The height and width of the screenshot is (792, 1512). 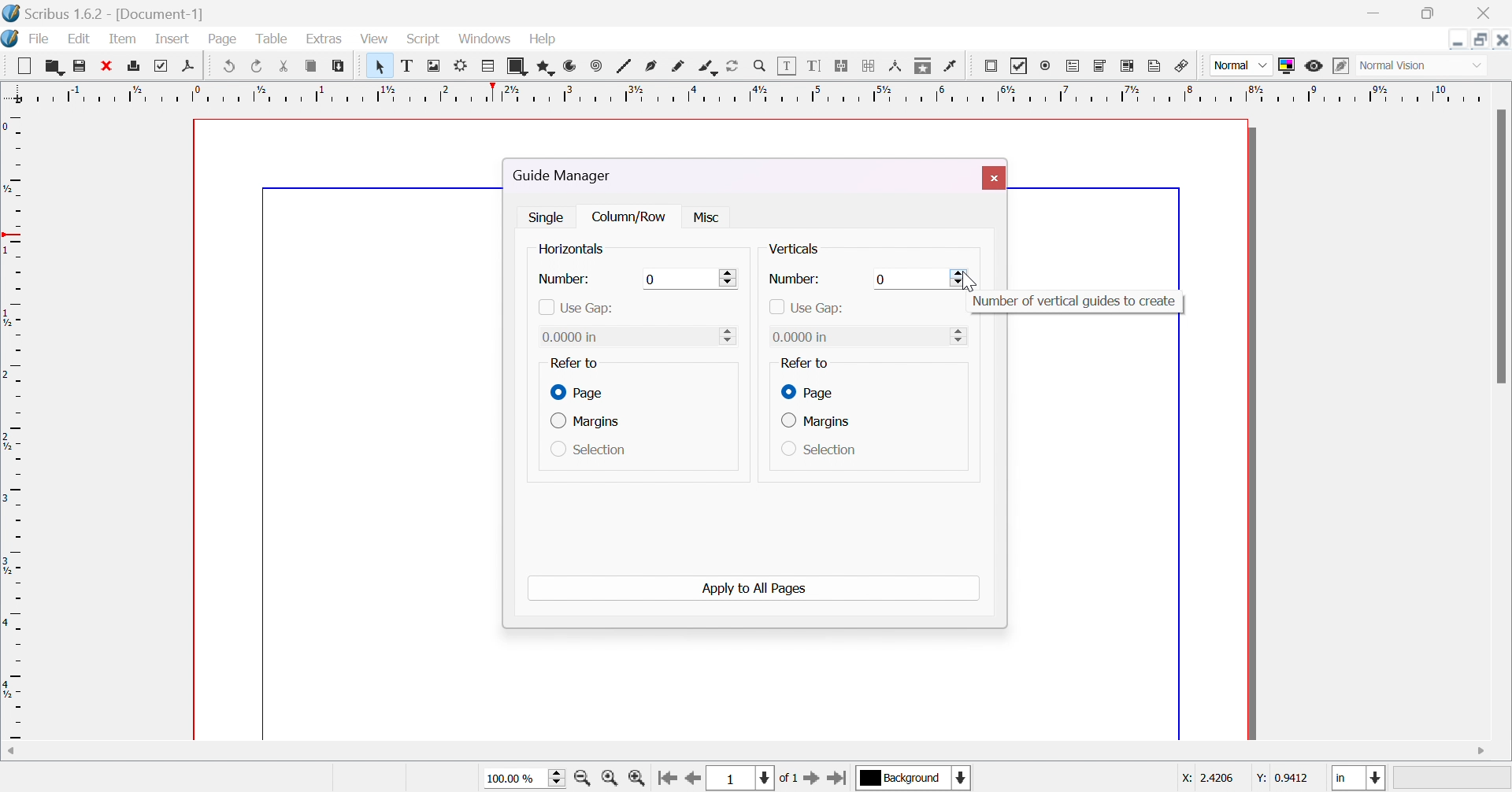 I want to click on close, so click(x=995, y=178).